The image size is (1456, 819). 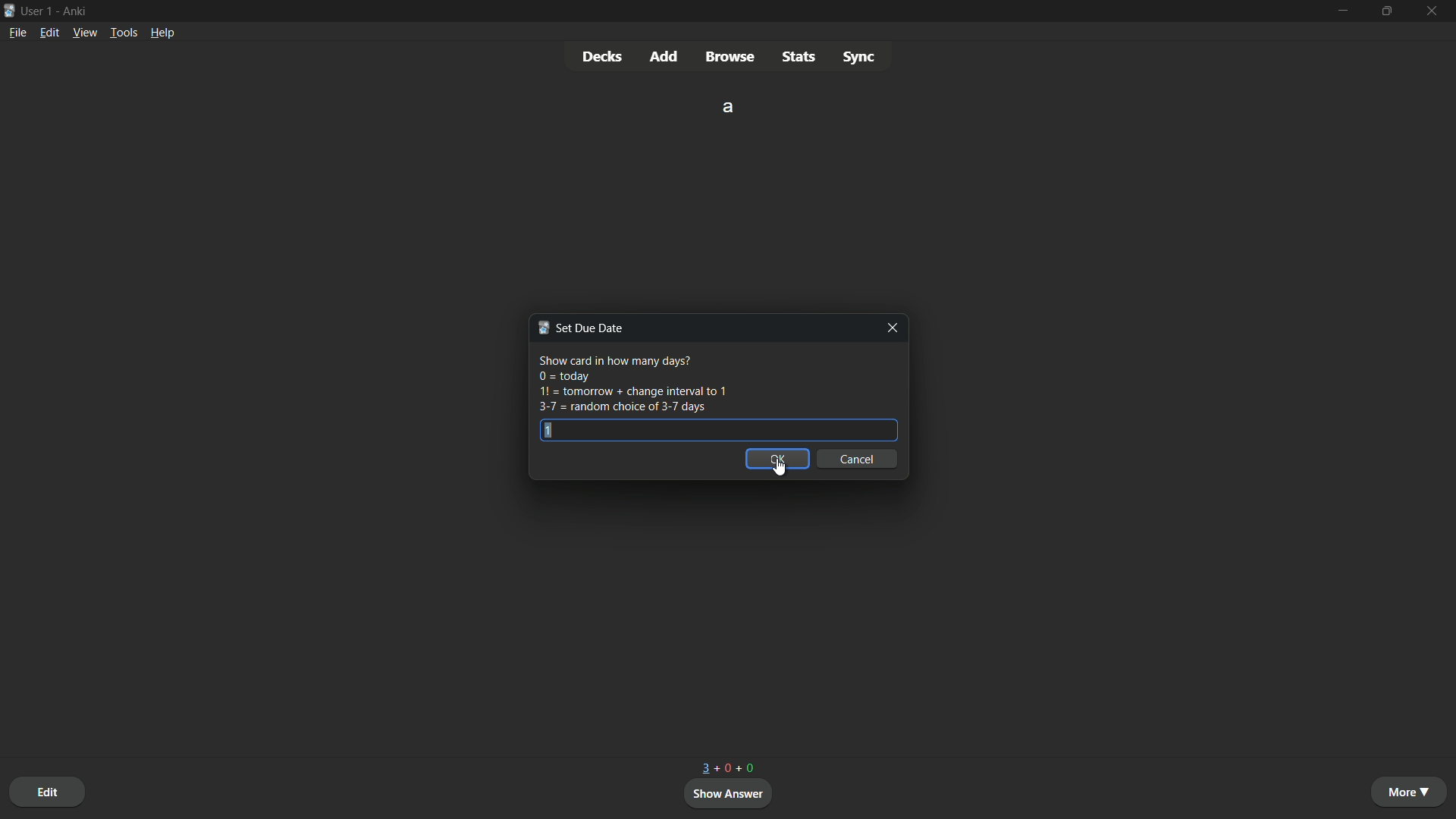 What do you see at coordinates (731, 57) in the screenshot?
I see `browse` at bounding box center [731, 57].